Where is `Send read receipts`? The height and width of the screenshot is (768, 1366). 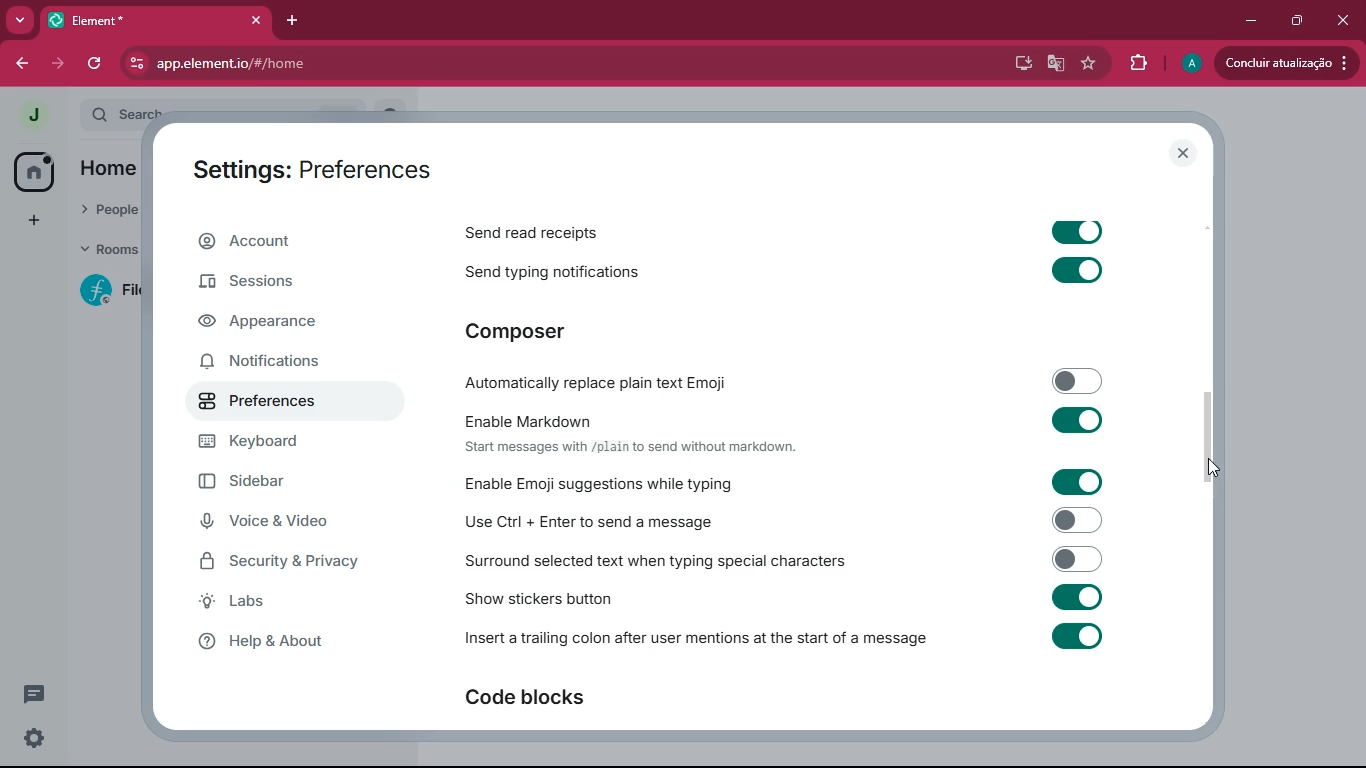 Send read receipts is located at coordinates (798, 228).